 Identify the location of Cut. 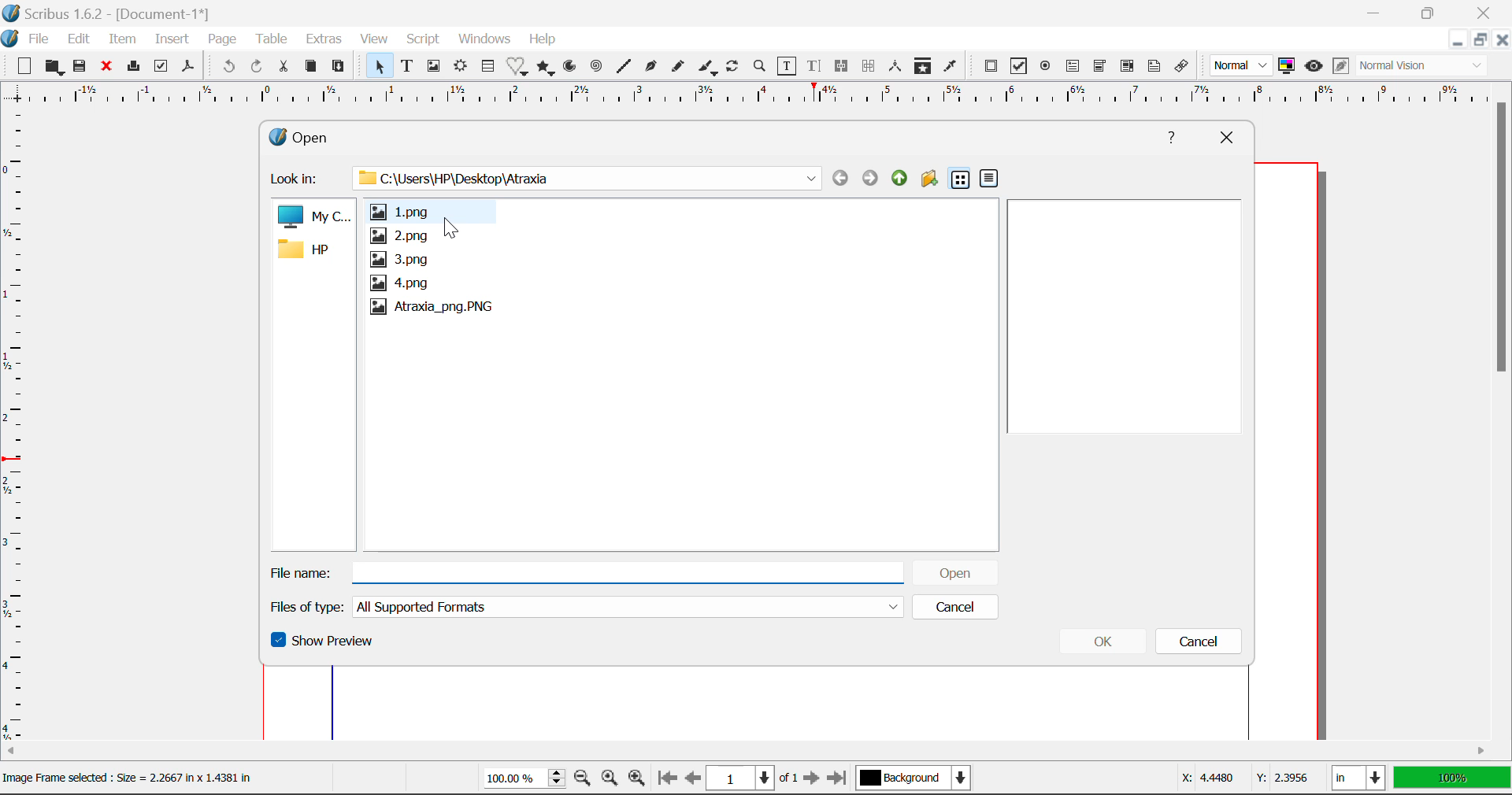
(287, 65).